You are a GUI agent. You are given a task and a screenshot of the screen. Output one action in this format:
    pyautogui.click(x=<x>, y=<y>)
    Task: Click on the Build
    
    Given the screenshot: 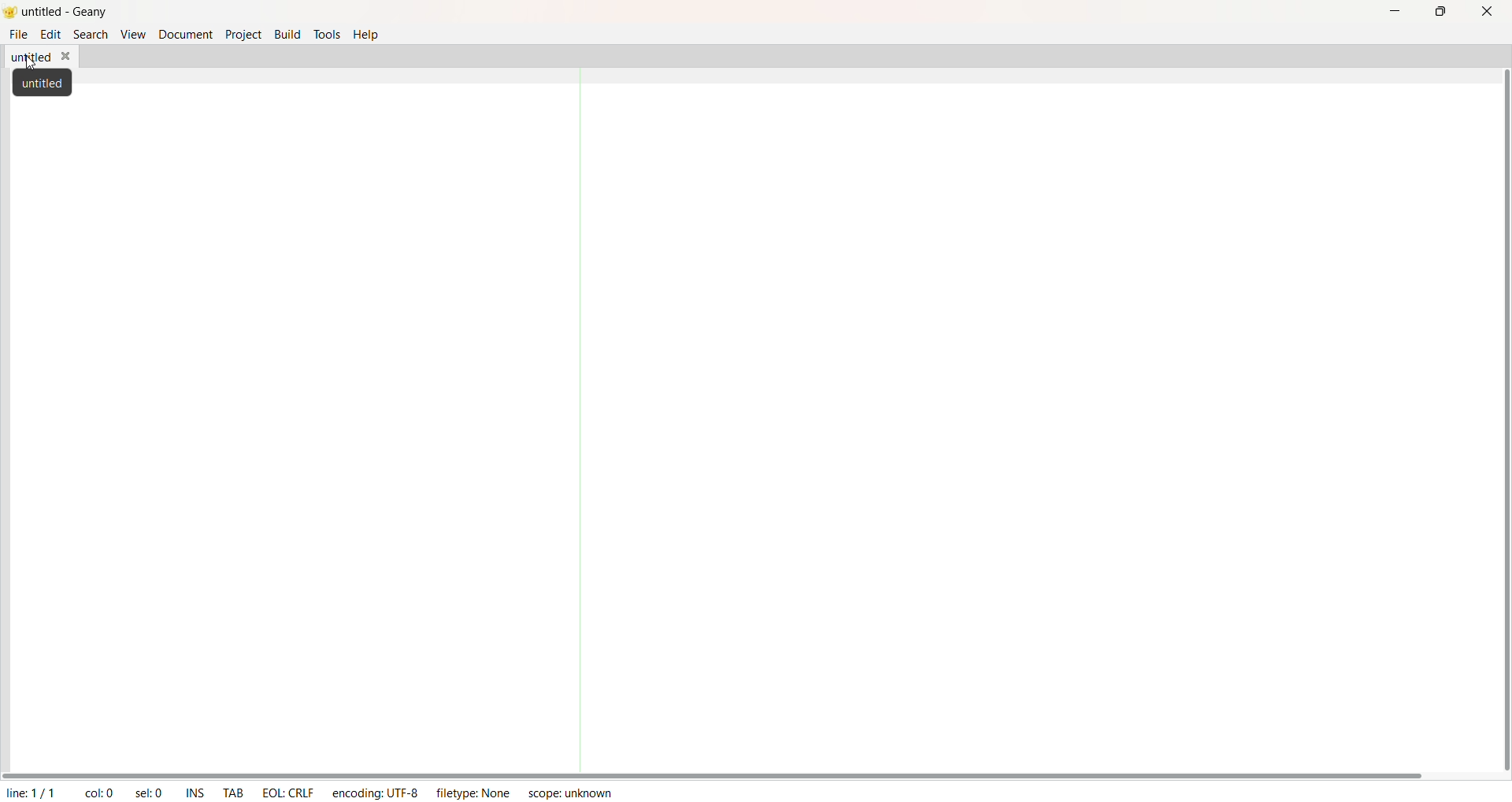 What is the action you would take?
    pyautogui.click(x=287, y=33)
    